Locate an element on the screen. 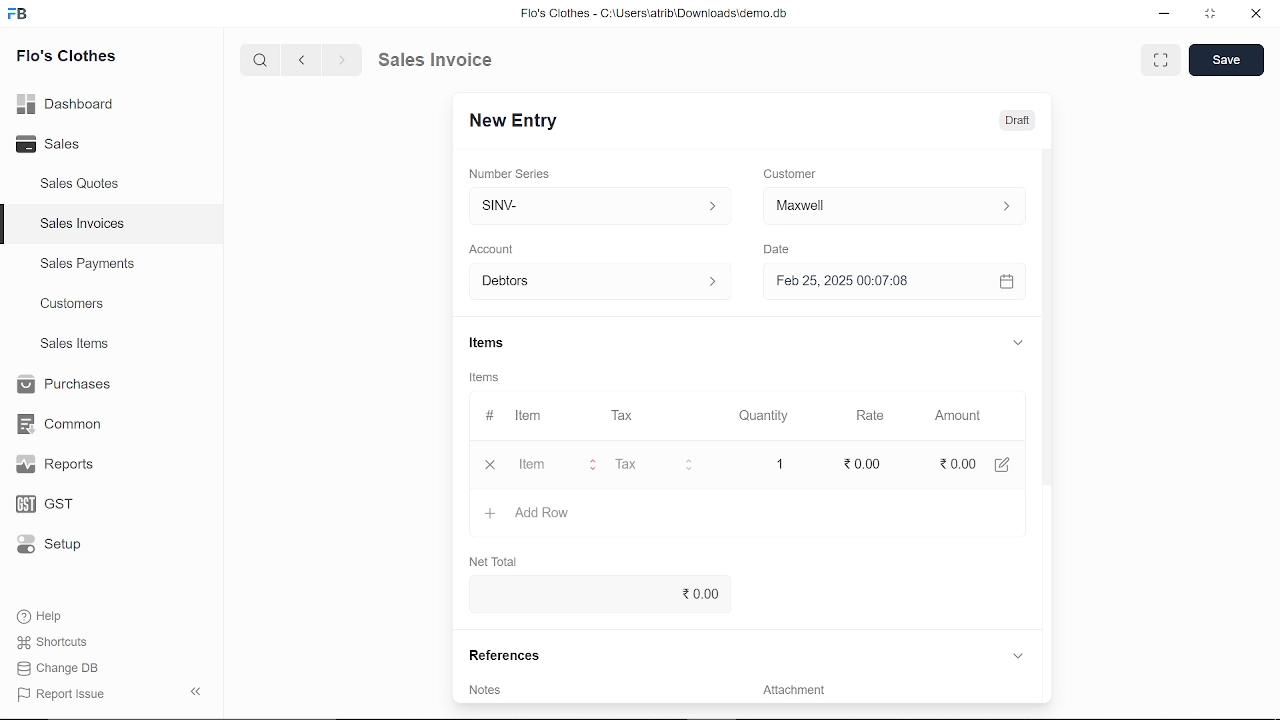 The image size is (1280, 720). Tax is located at coordinates (623, 417).